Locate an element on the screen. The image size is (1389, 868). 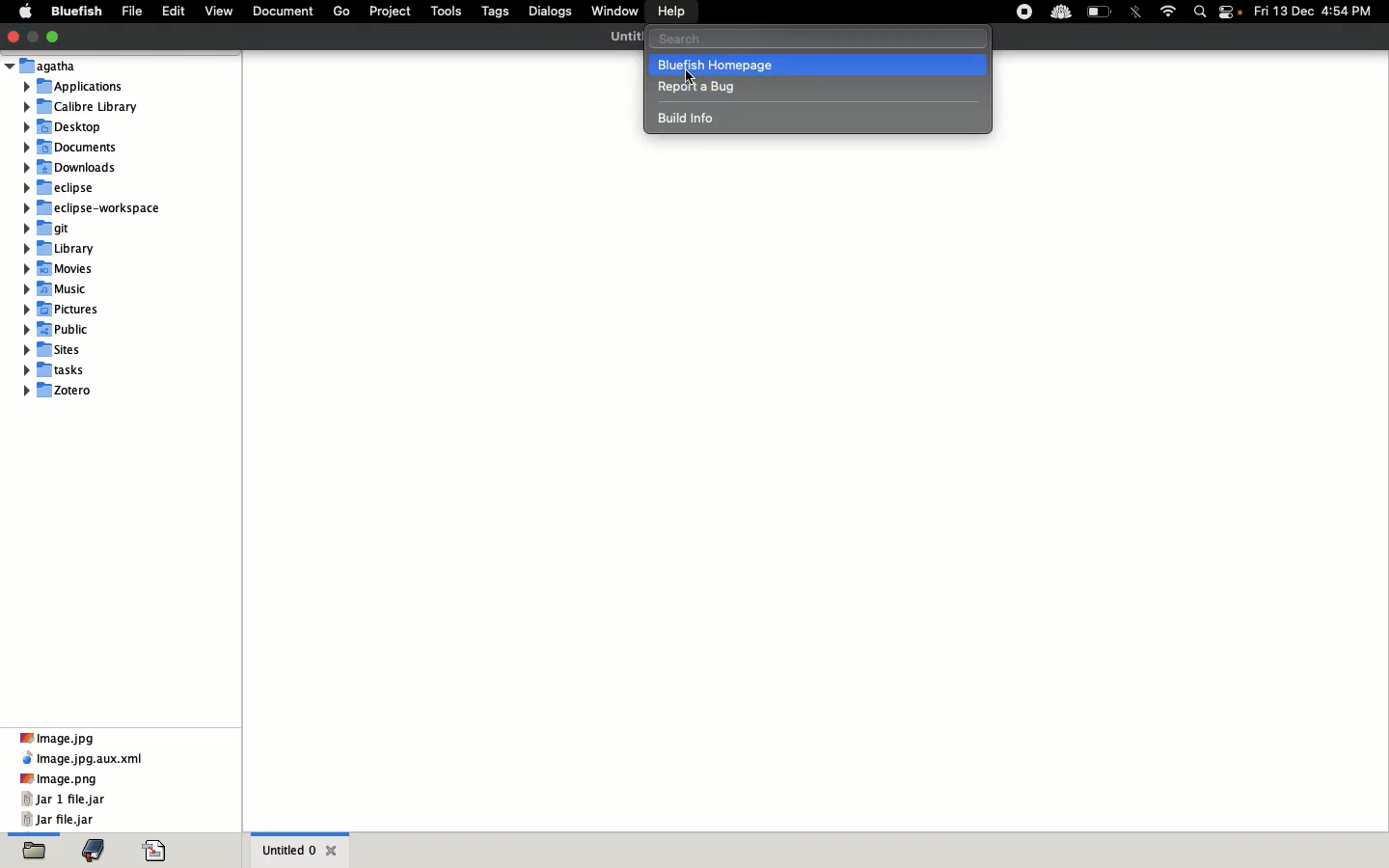
Edit is located at coordinates (174, 10).